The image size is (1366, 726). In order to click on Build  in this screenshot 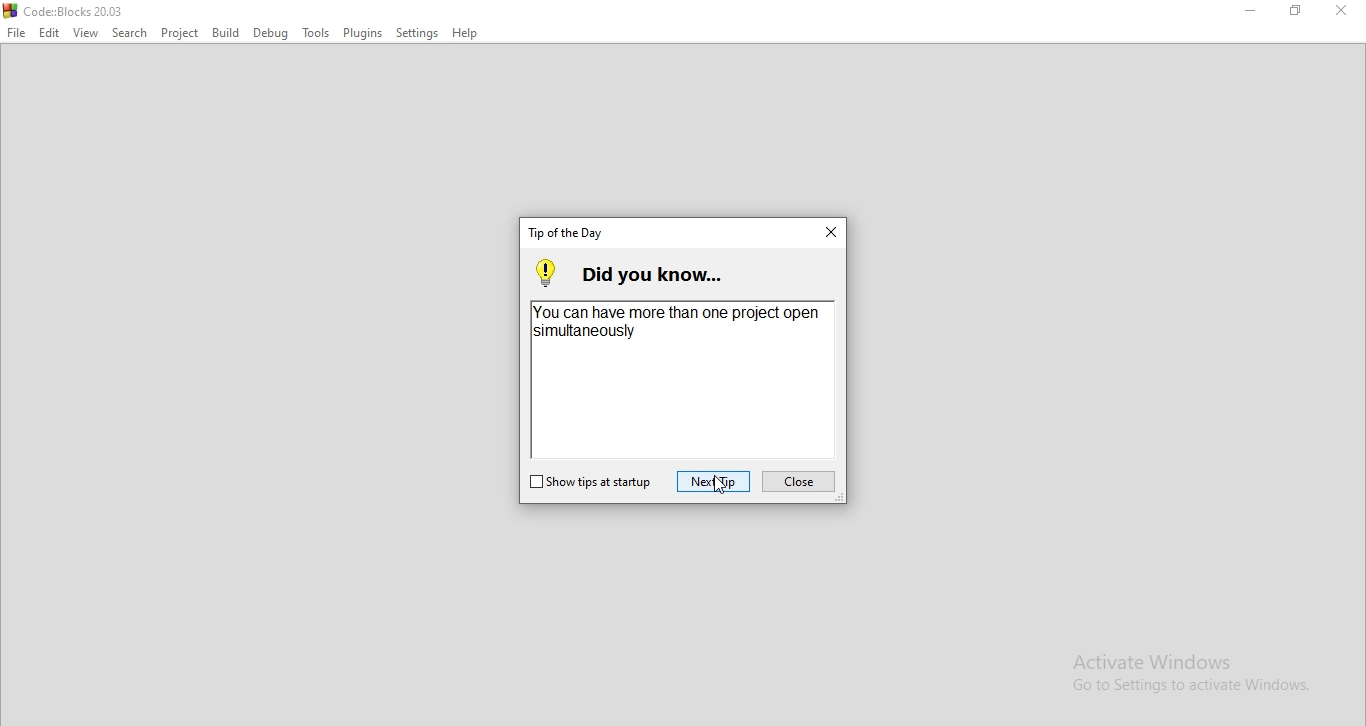, I will do `click(225, 33)`.